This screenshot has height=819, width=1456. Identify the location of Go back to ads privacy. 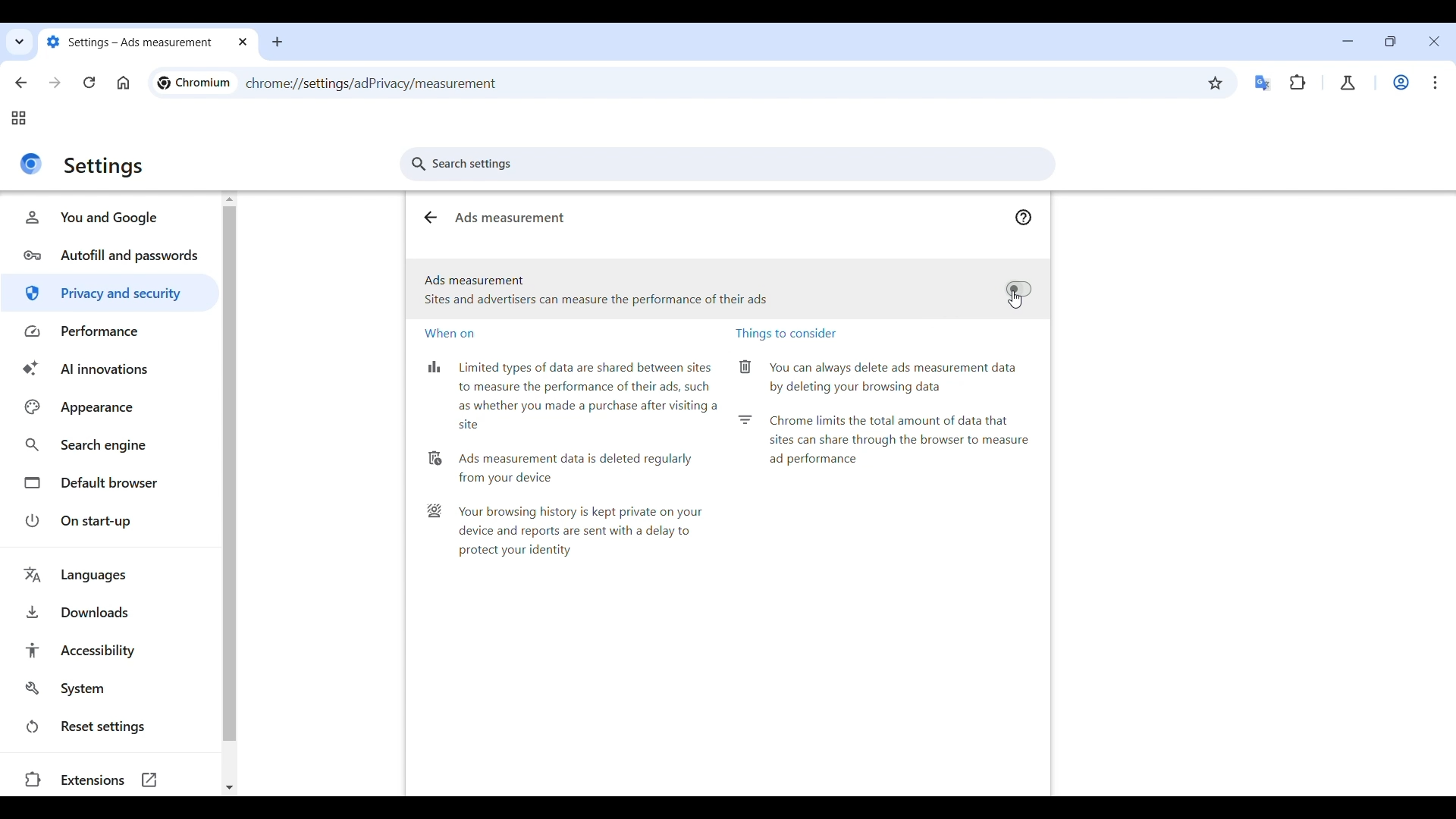
(430, 218).